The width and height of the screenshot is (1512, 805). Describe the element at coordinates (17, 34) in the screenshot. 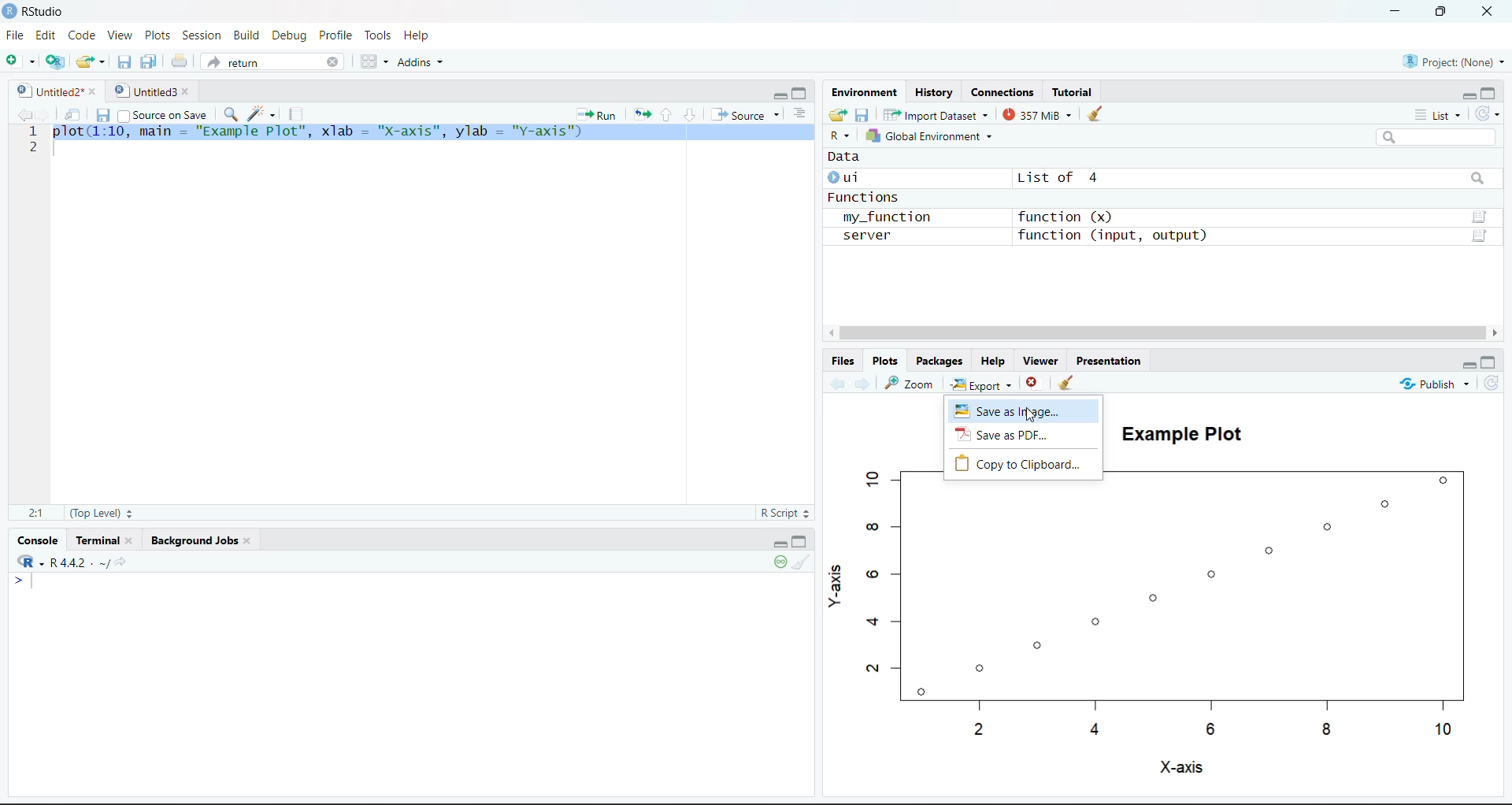

I see `File` at that location.